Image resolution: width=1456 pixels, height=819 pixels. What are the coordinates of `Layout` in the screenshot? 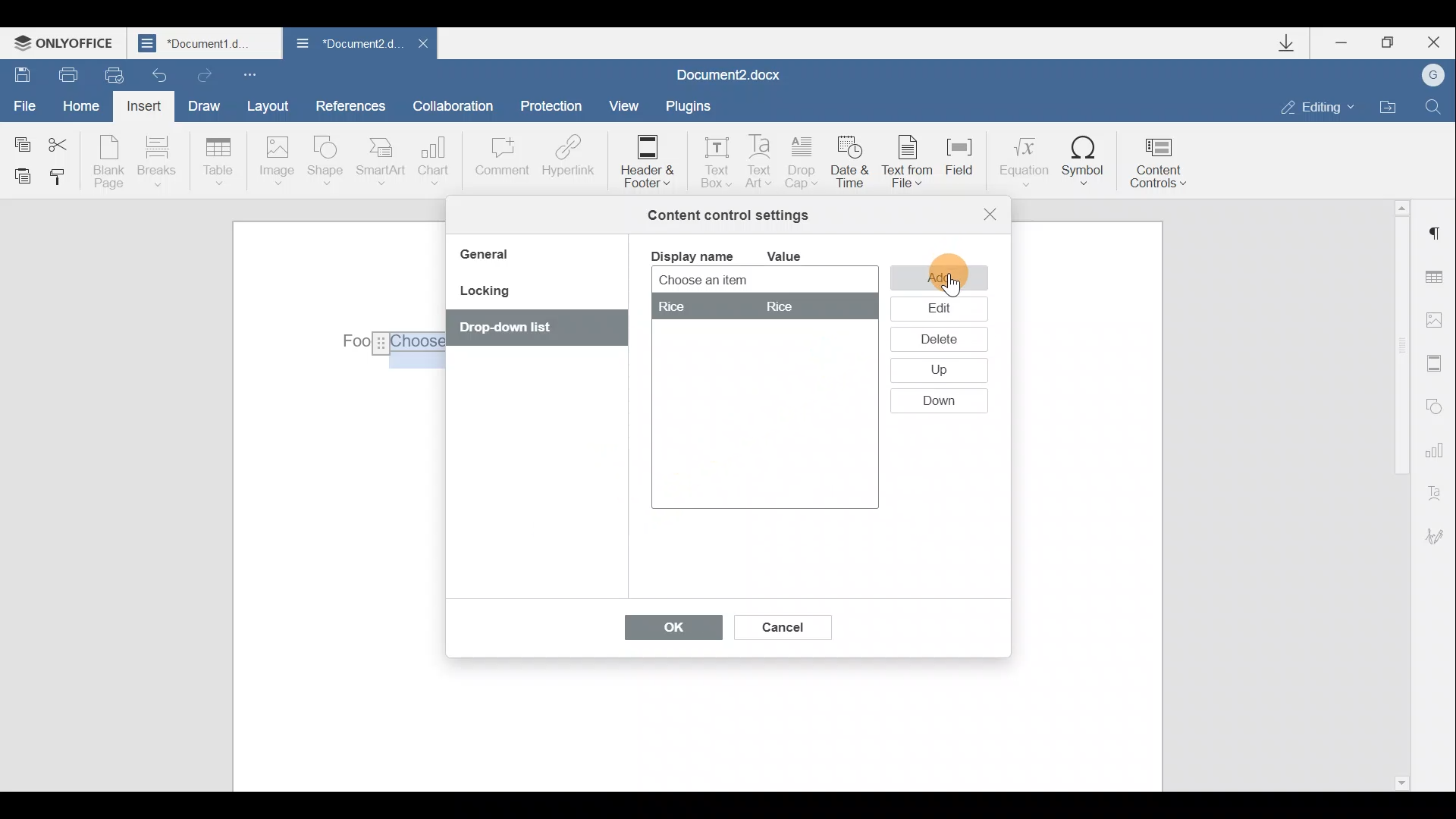 It's located at (267, 105).